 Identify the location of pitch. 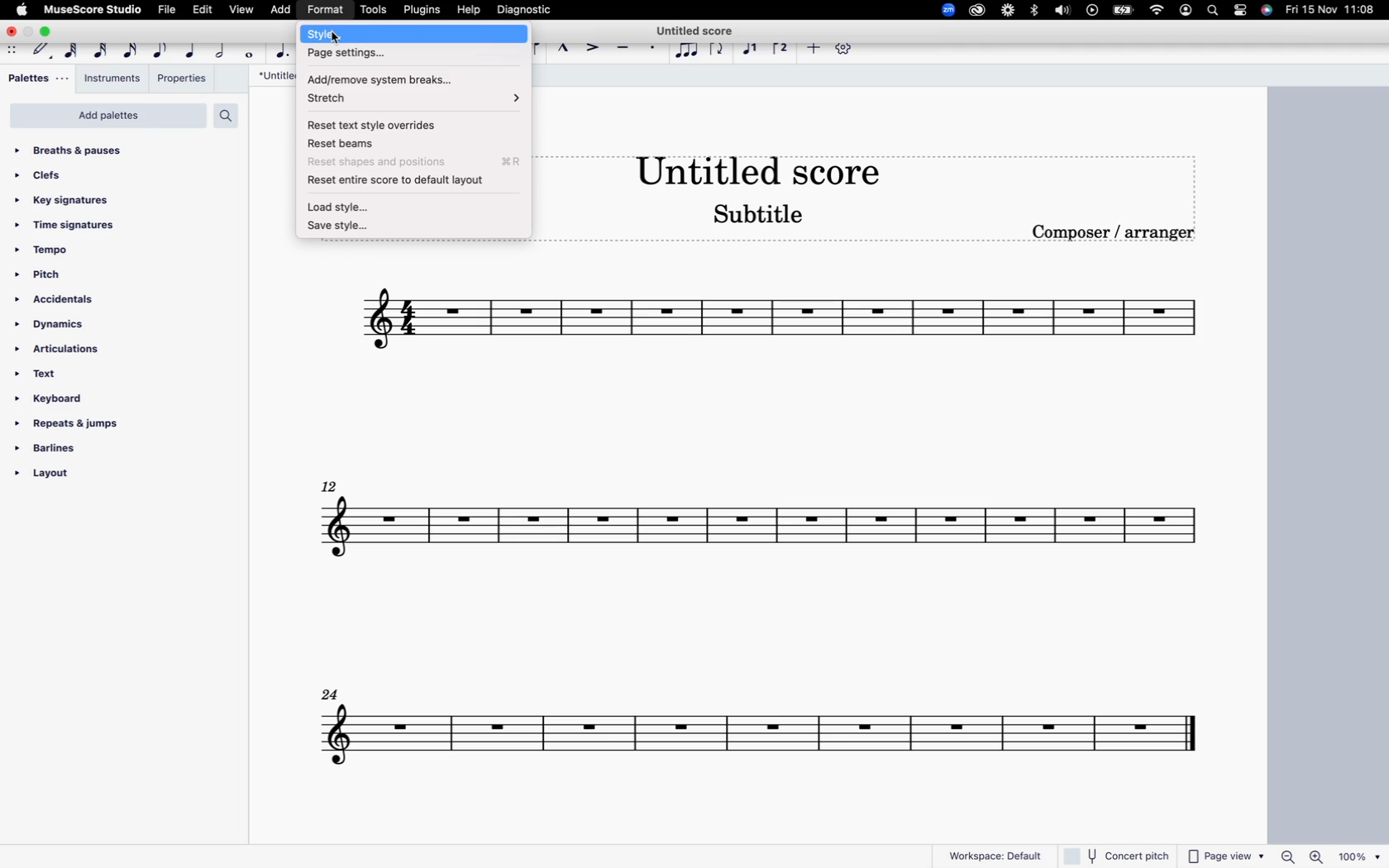
(45, 274).